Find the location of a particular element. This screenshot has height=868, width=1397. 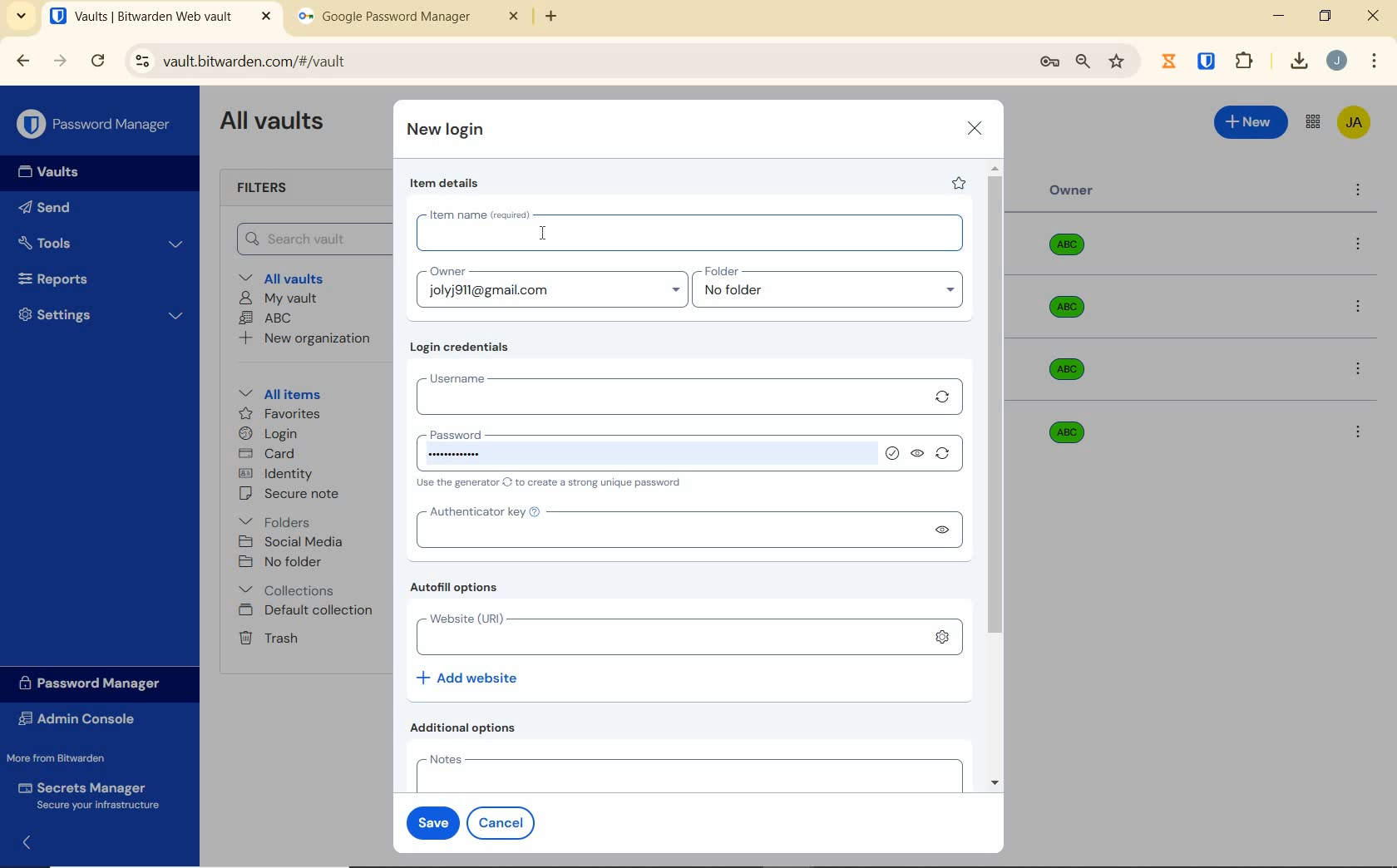

item details is located at coordinates (445, 184).